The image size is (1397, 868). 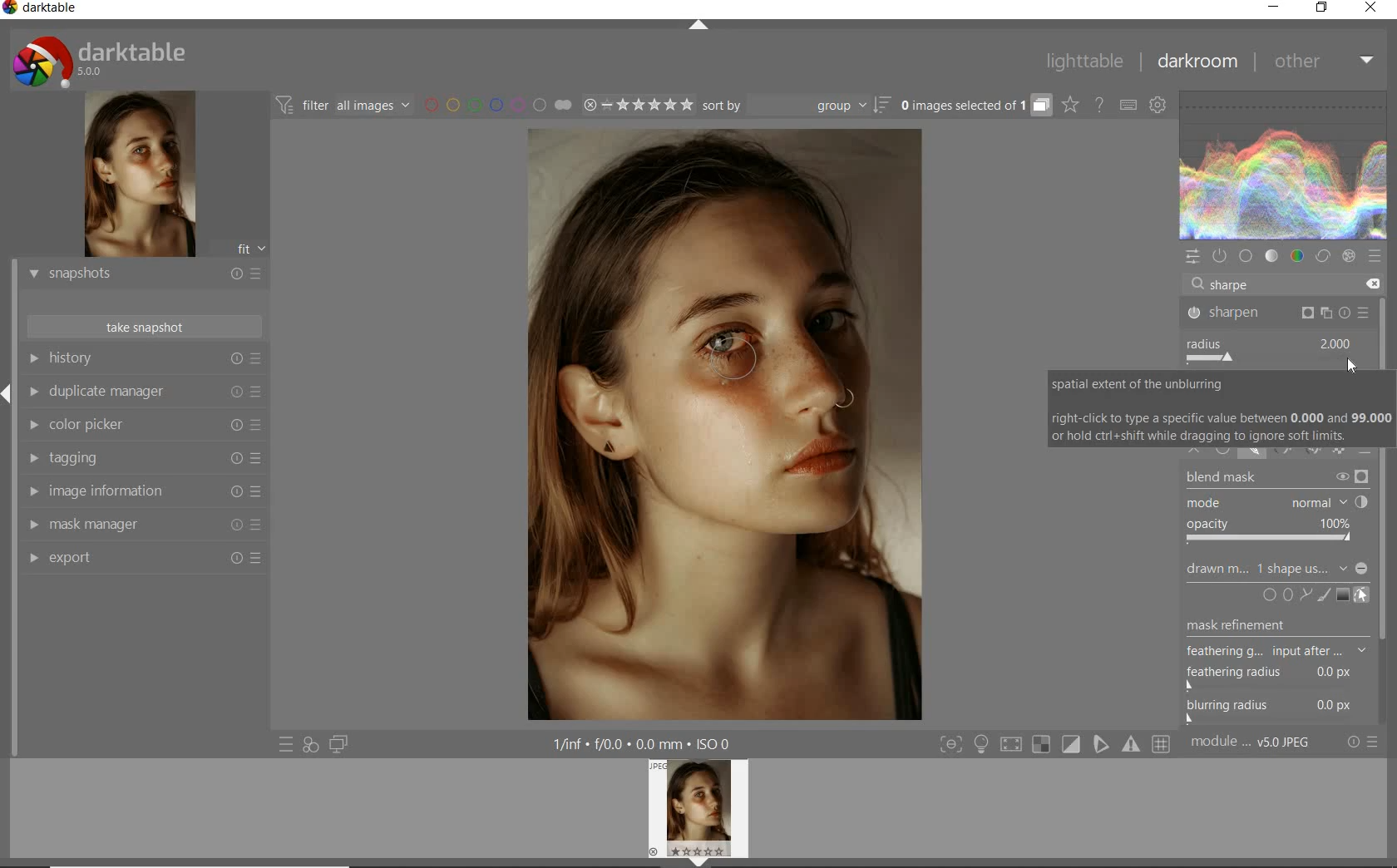 I want to click on OPACITY, so click(x=1272, y=532).